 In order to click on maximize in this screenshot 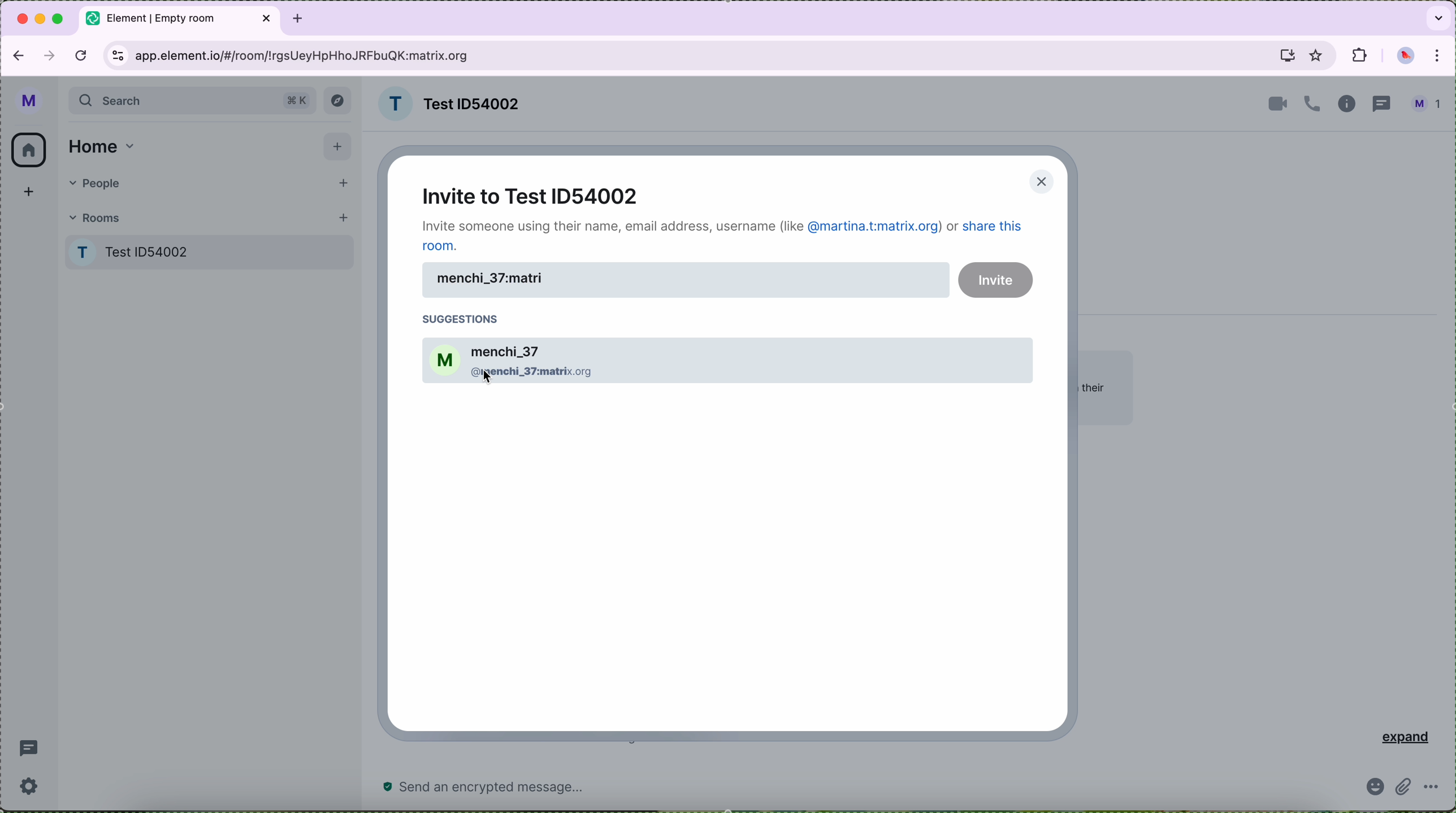, I will do `click(61, 20)`.